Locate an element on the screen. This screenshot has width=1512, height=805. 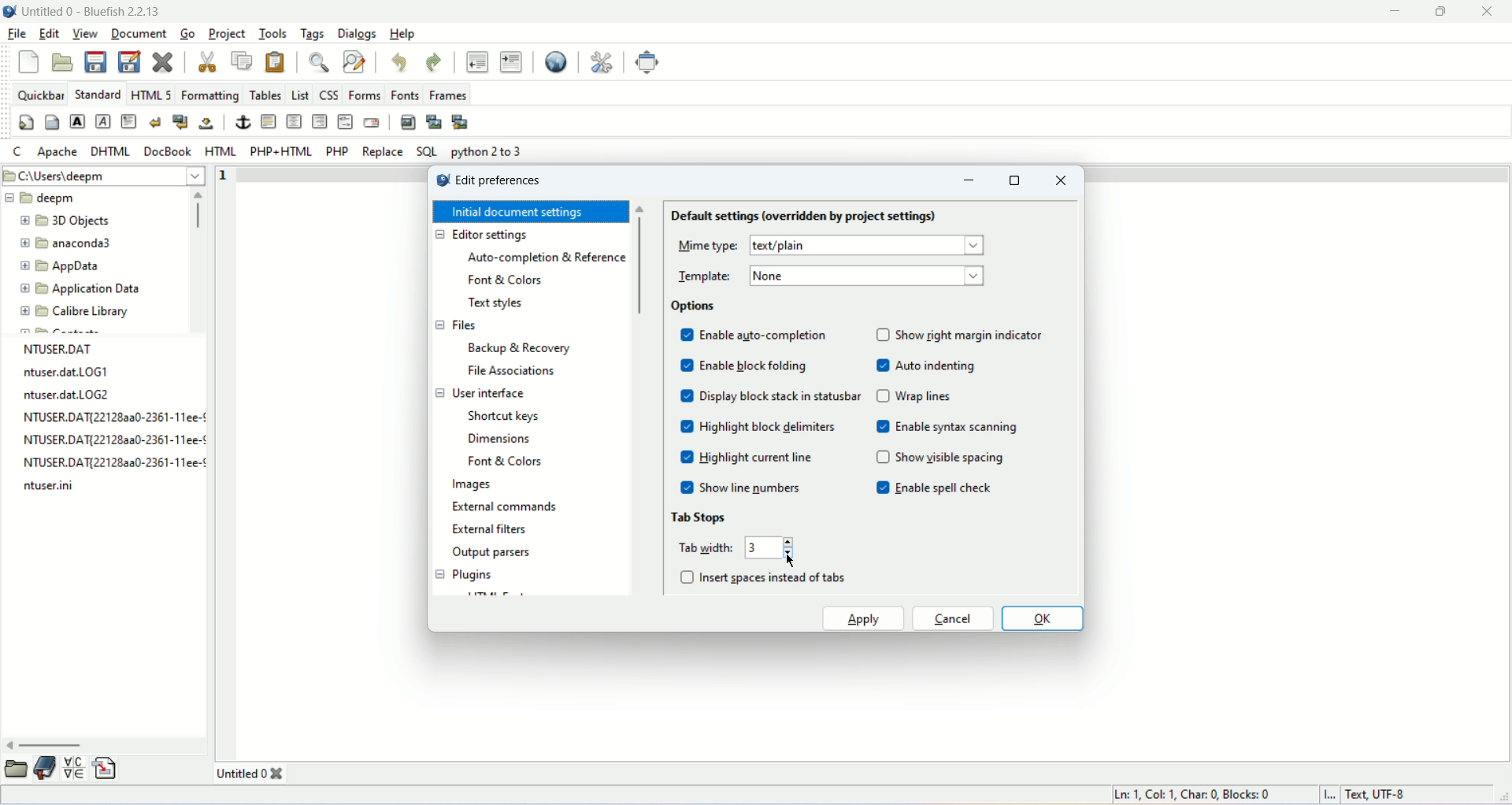
ntuser.dat.LOG2 is located at coordinates (61, 395).